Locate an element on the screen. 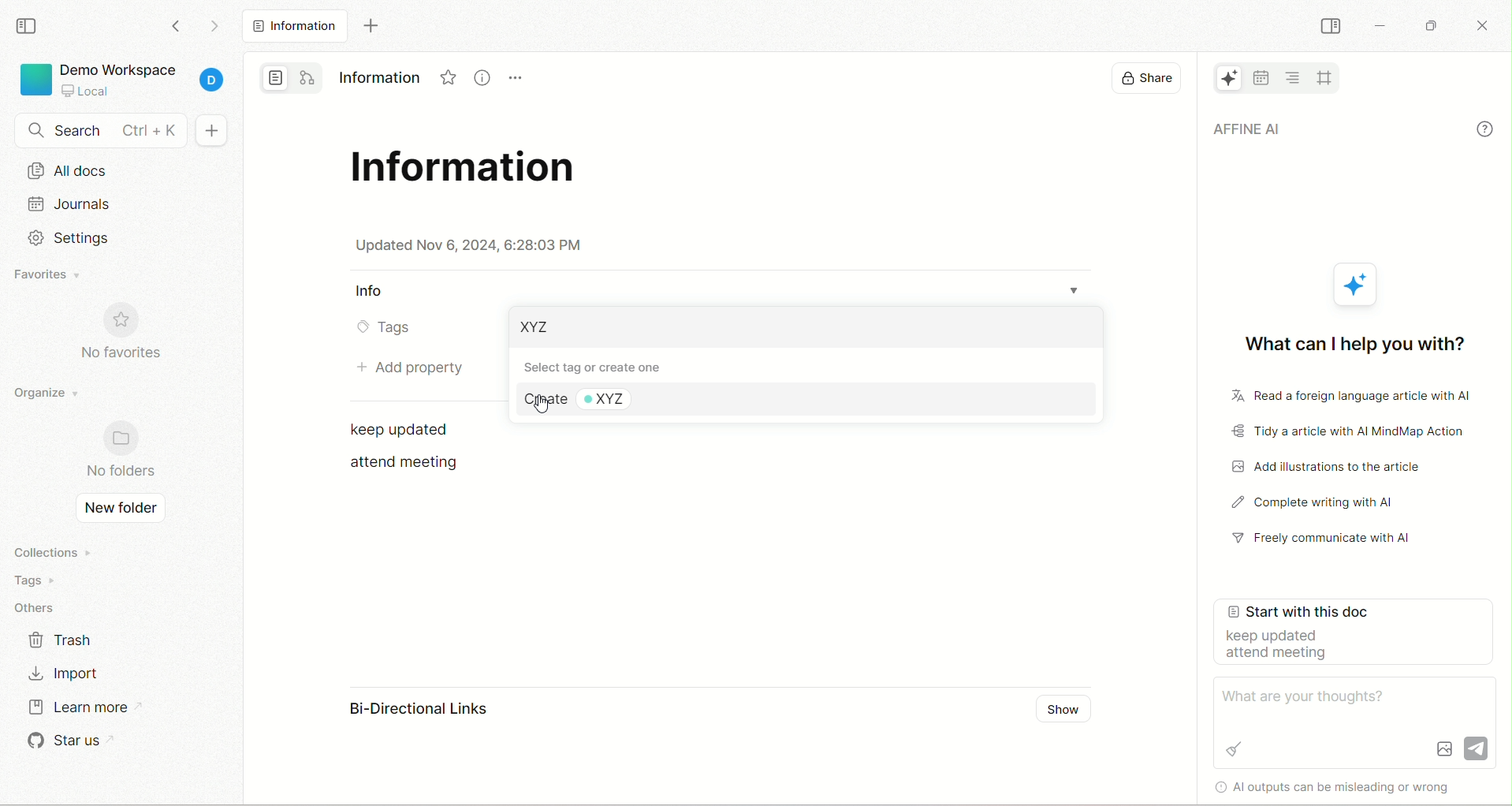 The width and height of the screenshot is (1512, 806). what can I help you with is located at coordinates (1351, 340).